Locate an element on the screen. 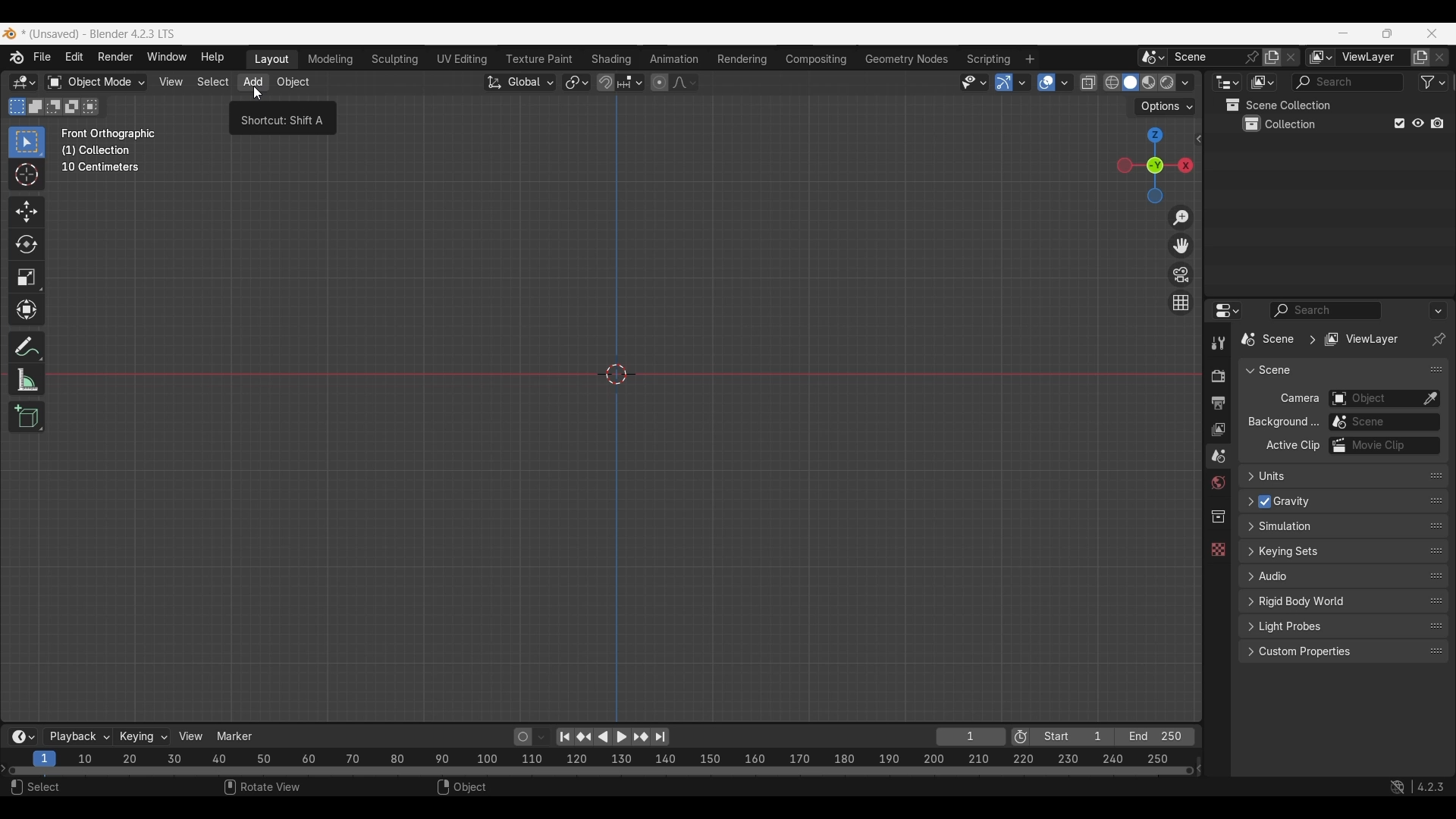  Exclude from view layer is located at coordinates (1400, 123).